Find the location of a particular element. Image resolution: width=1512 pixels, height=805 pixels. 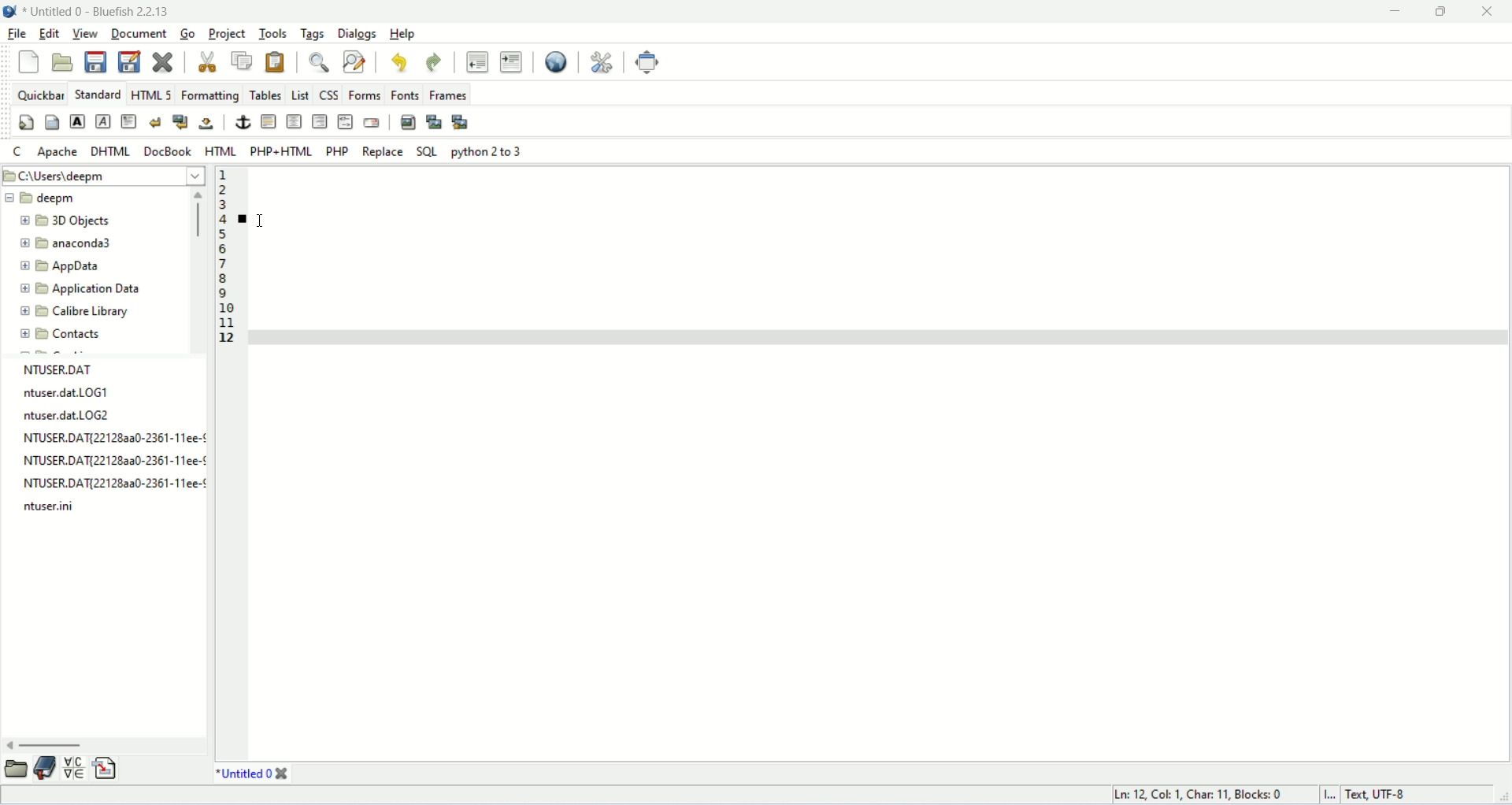

NTUSER.DAT is located at coordinates (68, 369).